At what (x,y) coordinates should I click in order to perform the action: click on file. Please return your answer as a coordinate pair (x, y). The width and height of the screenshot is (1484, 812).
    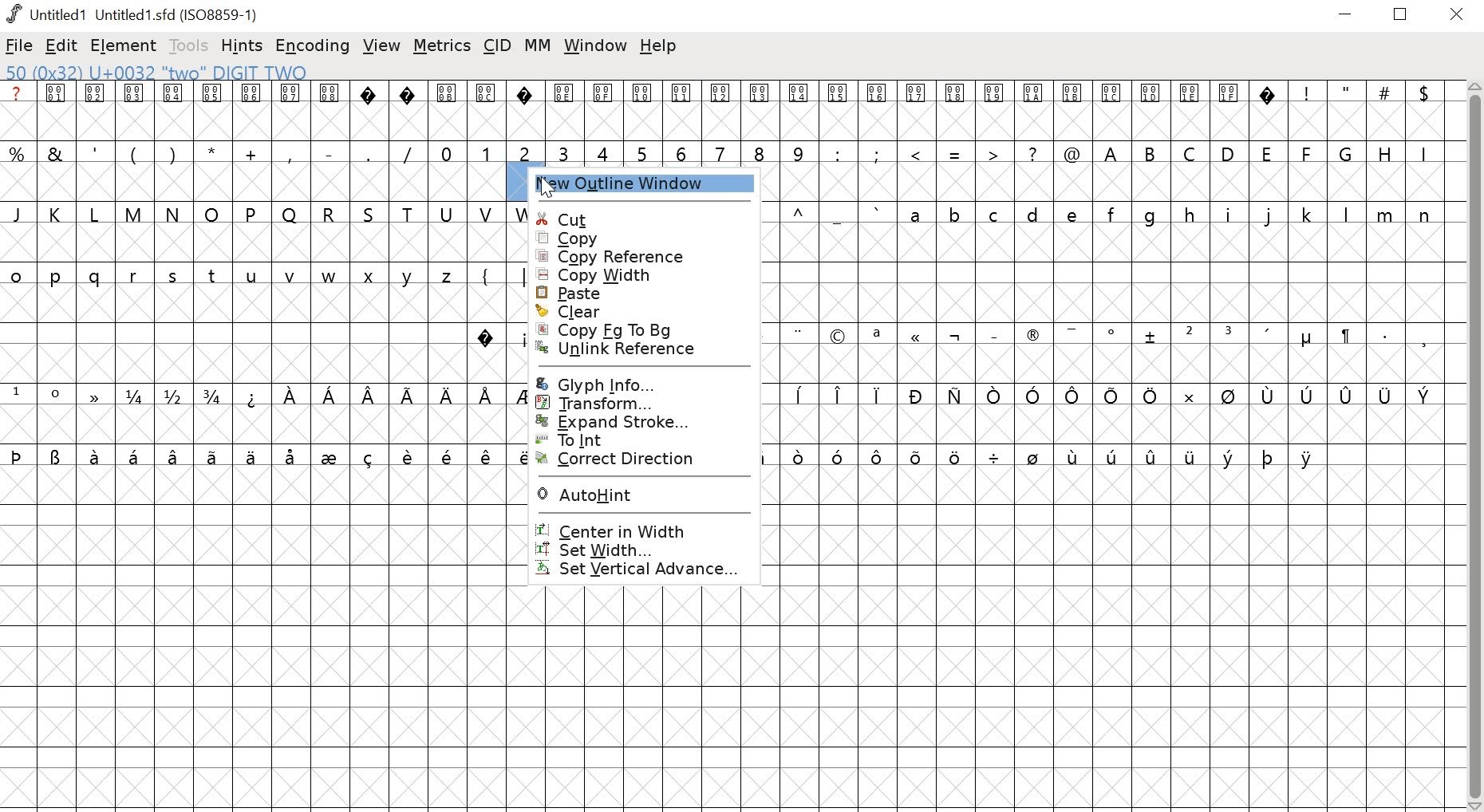
    Looking at the image, I should click on (21, 45).